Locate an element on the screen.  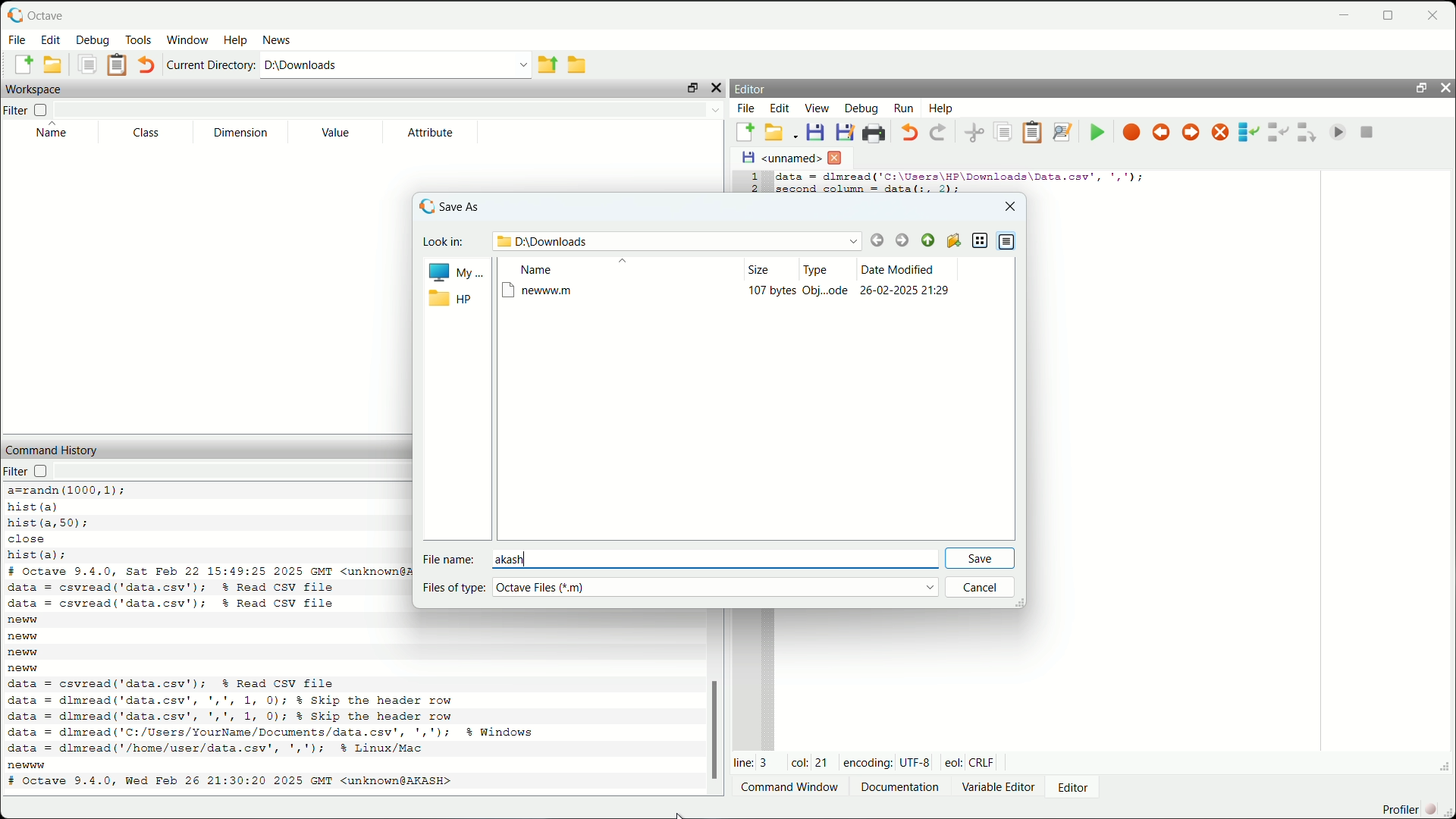
octave is located at coordinates (65, 12).